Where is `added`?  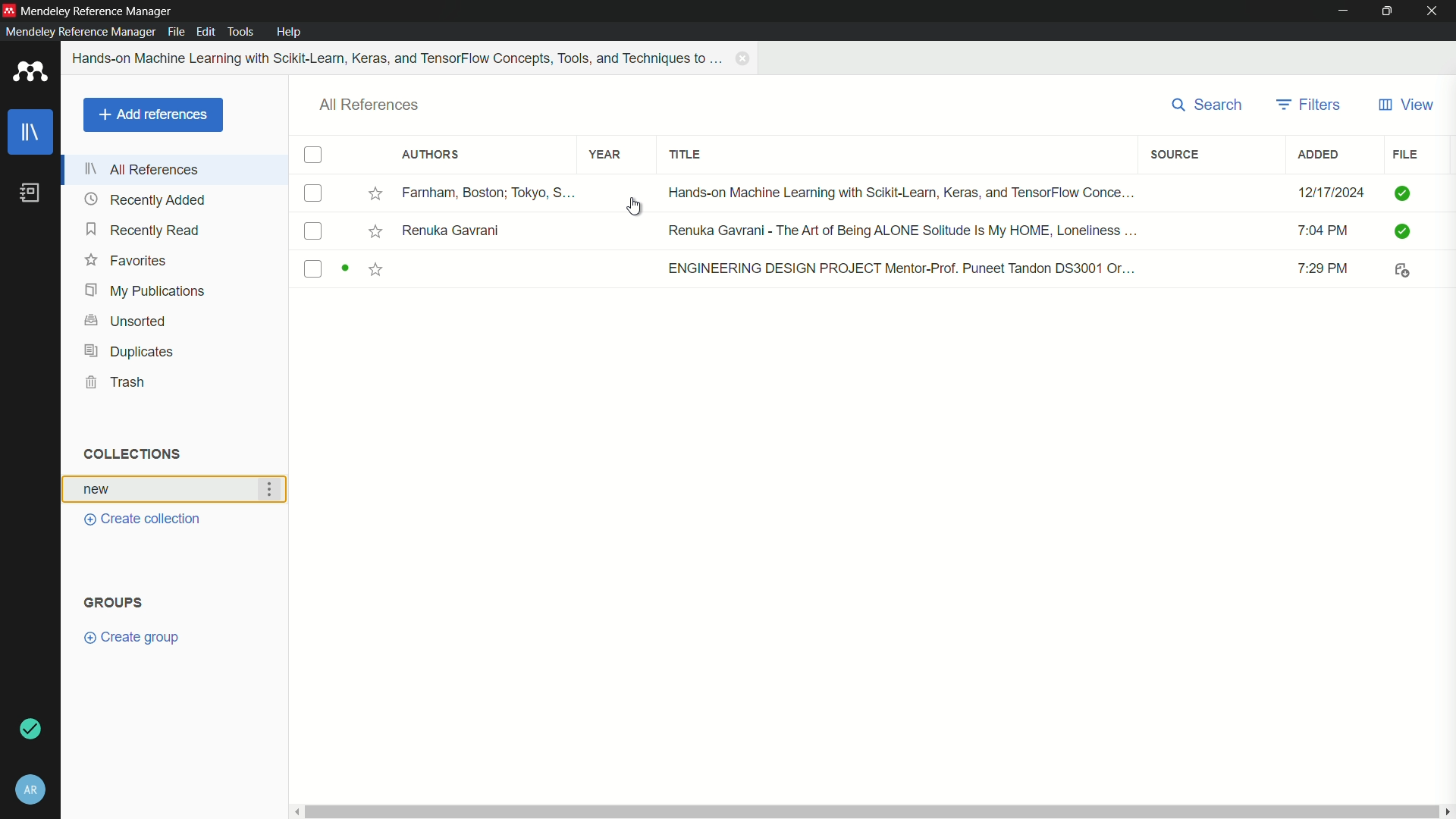 added is located at coordinates (1319, 155).